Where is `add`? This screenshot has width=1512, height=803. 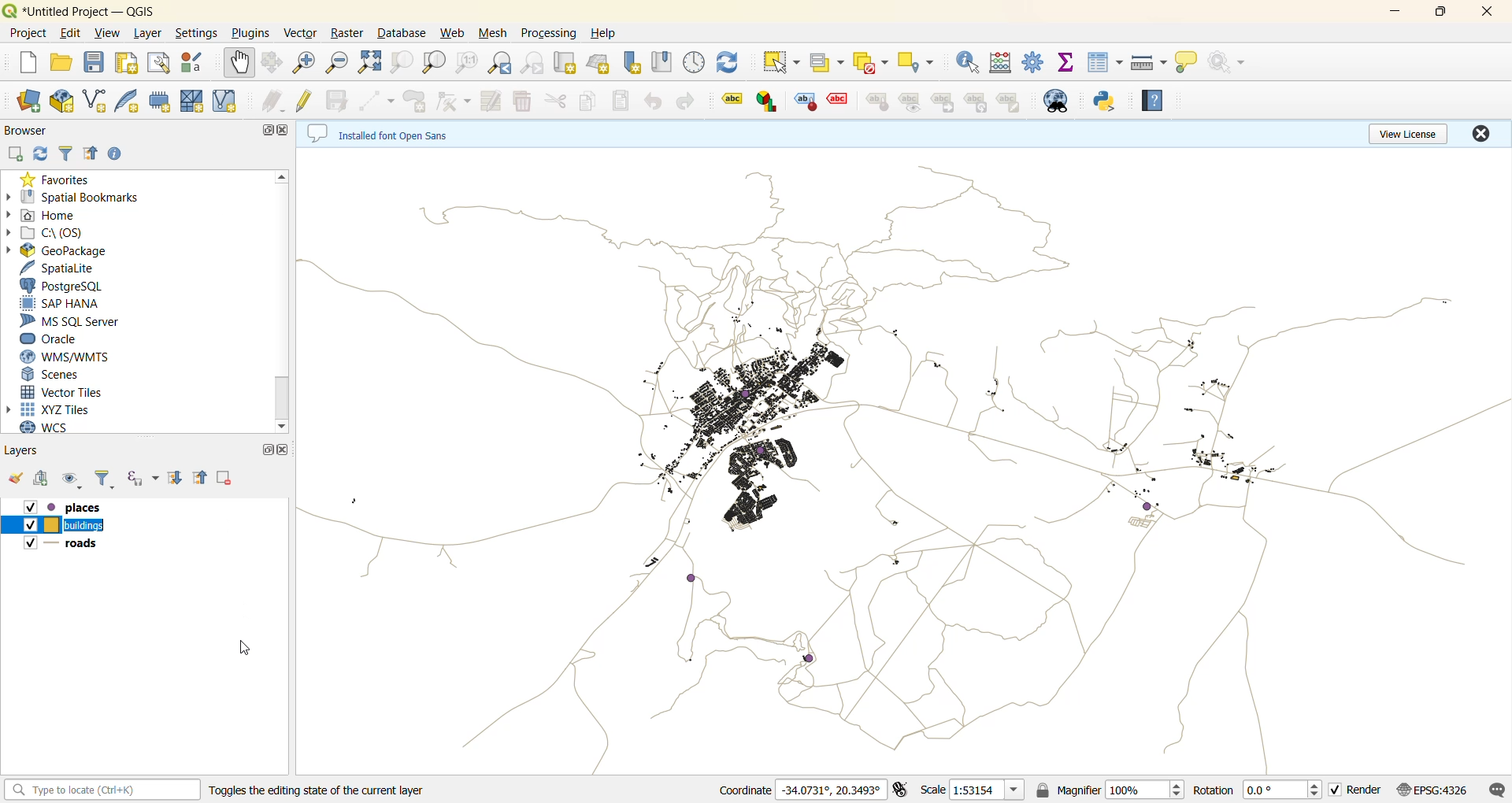 add is located at coordinates (17, 154).